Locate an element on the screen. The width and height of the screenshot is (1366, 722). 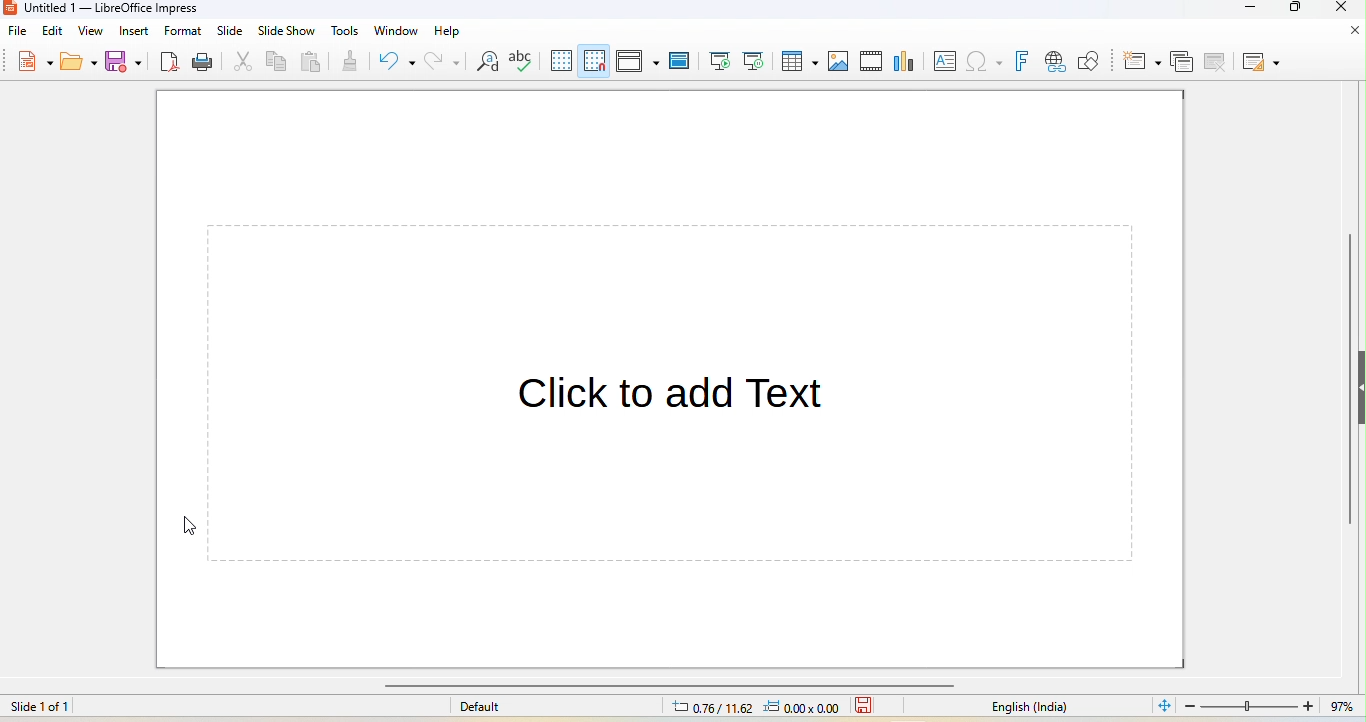
help is located at coordinates (448, 32).